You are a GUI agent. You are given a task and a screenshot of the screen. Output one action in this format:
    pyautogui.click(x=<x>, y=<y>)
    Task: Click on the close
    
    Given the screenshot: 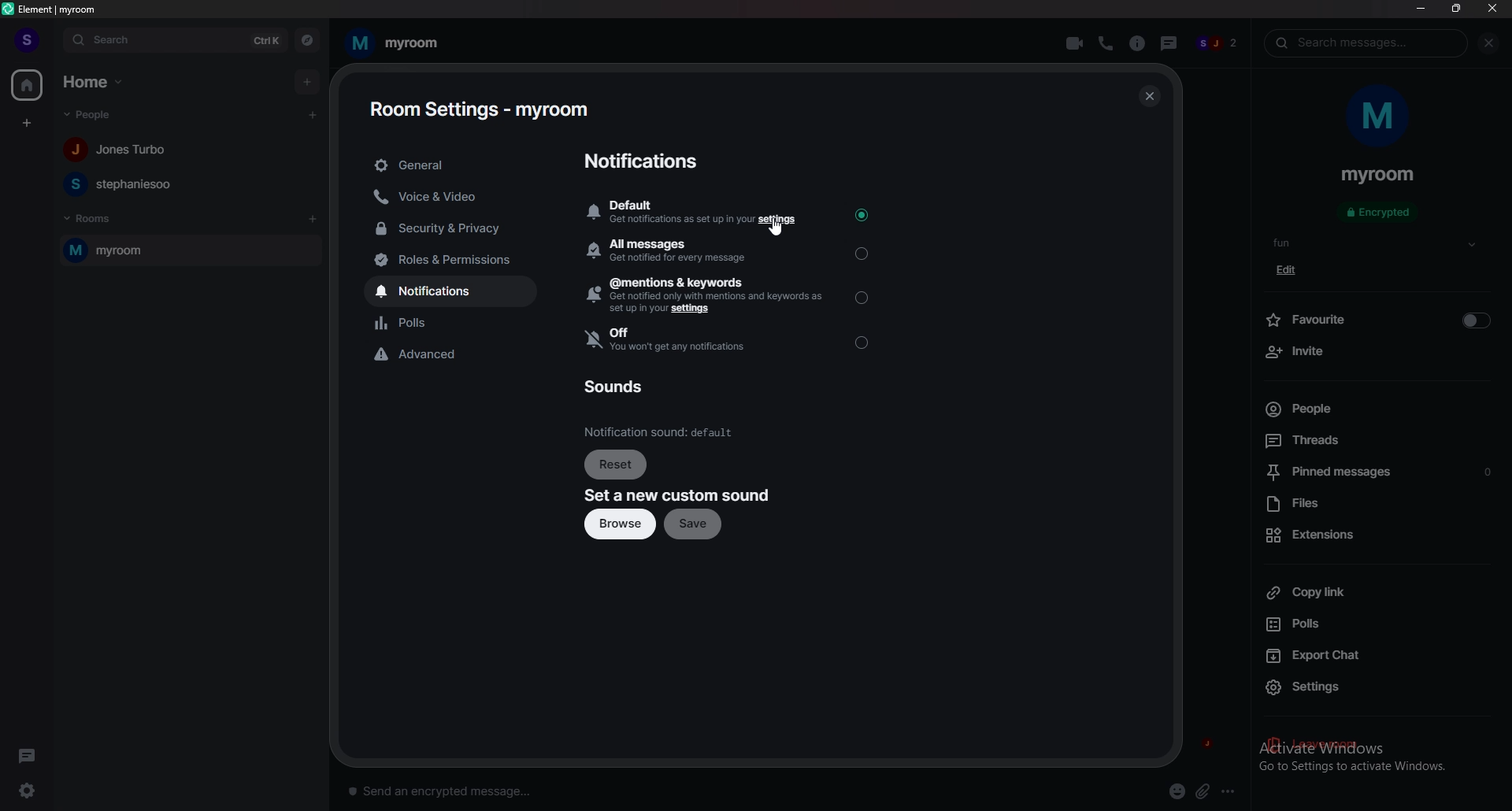 What is the action you would take?
    pyautogui.click(x=1147, y=96)
    